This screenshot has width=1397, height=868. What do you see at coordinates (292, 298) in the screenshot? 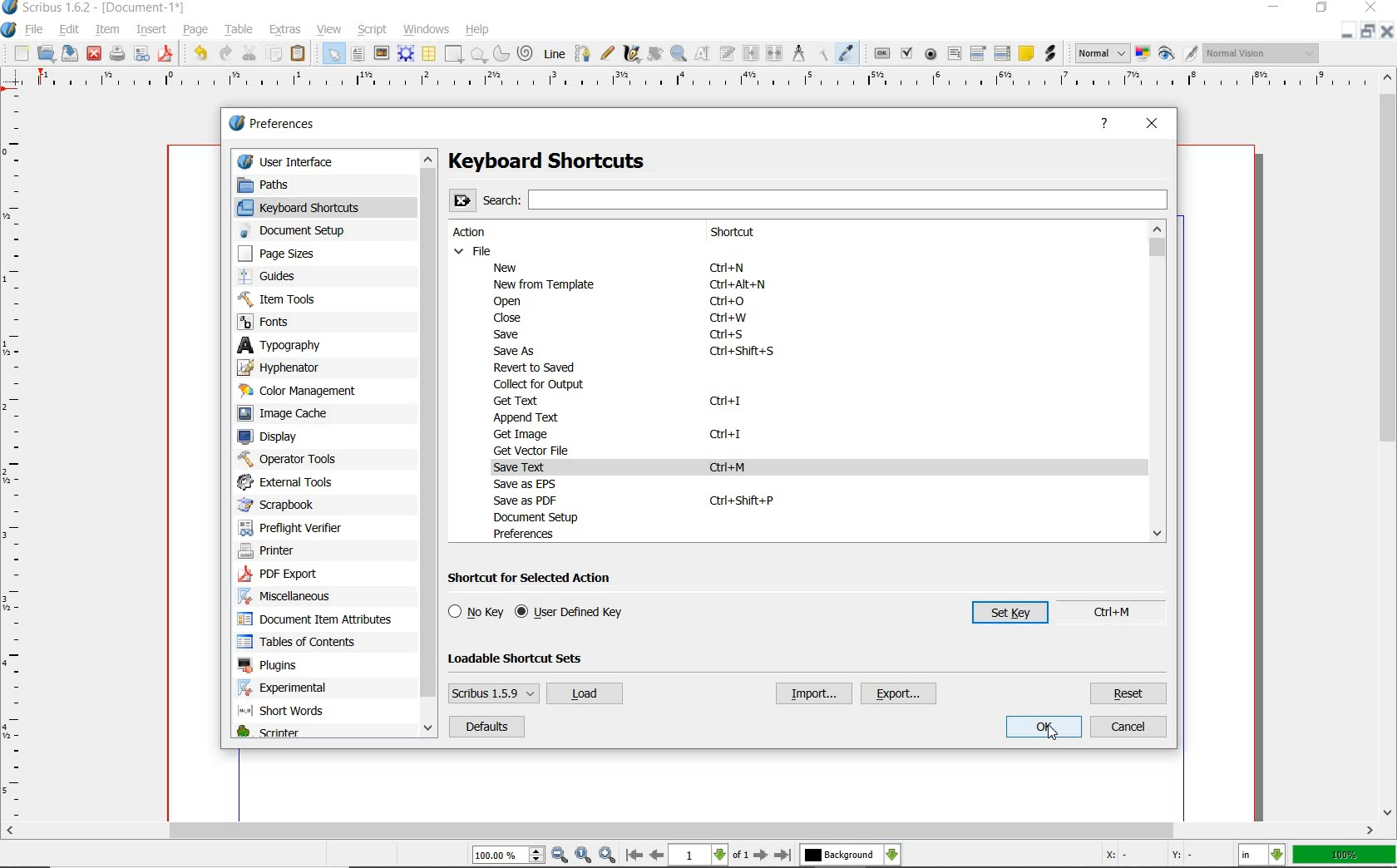
I see `item tools` at bounding box center [292, 298].